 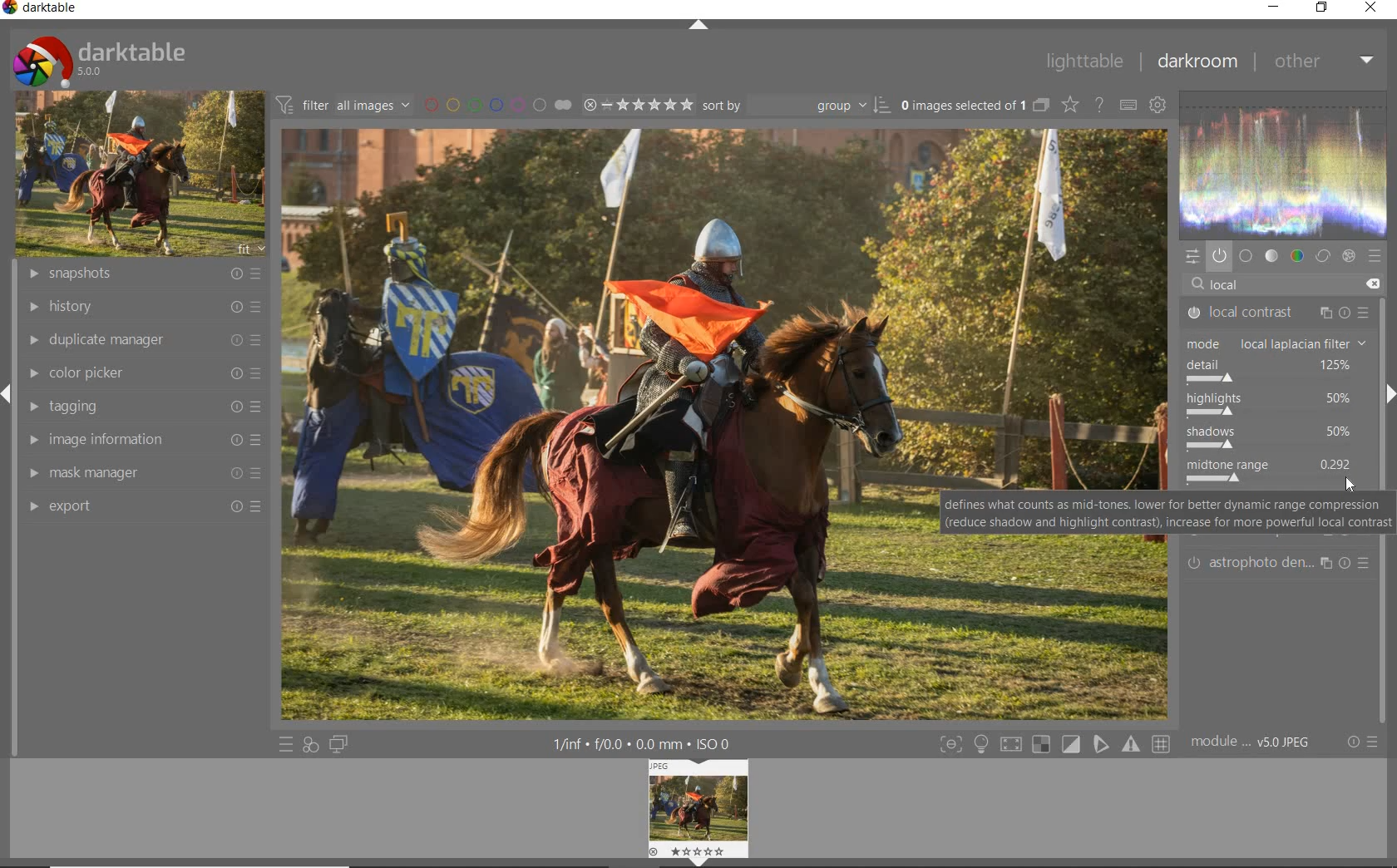 What do you see at coordinates (698, 24) in the screenshot?
I see `expand/collapse` at bounding box center [698, 24].